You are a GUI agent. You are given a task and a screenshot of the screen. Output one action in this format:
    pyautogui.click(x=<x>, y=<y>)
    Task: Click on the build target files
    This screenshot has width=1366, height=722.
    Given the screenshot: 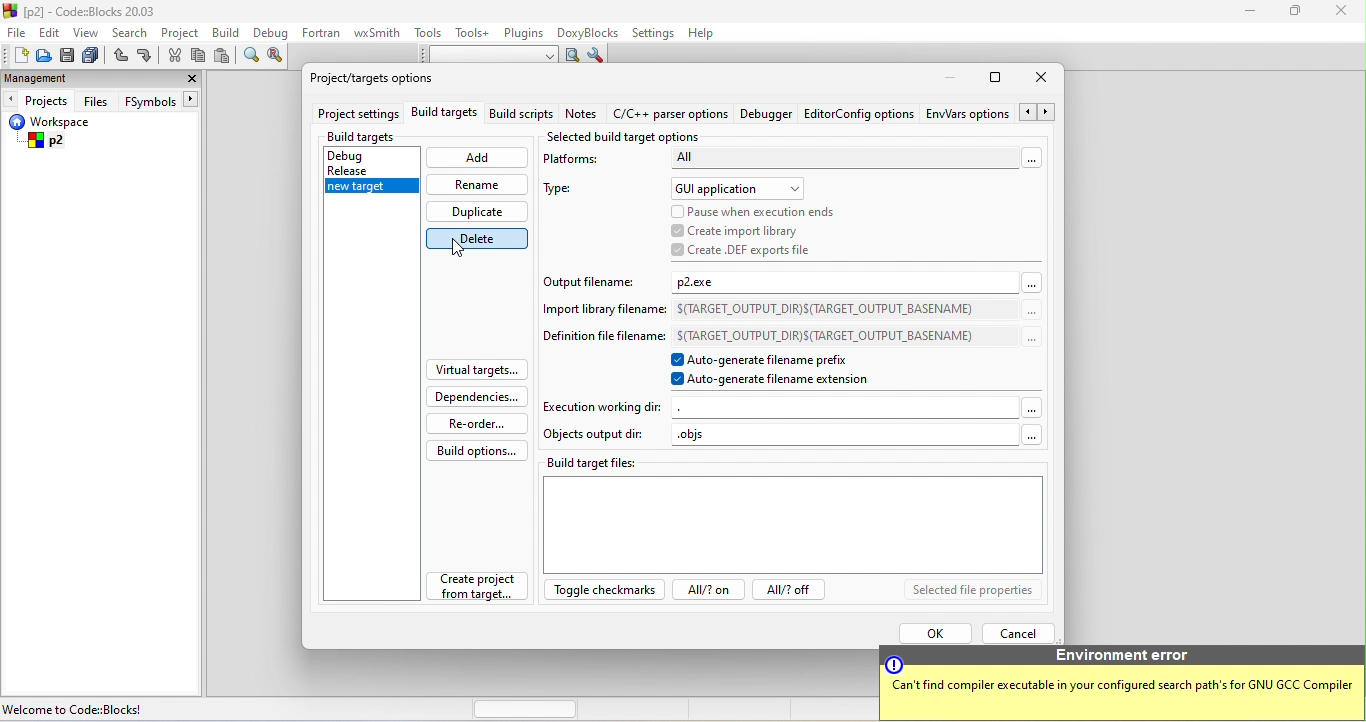 What is the action you would take?
    pyautogui.click(x=795, y=513)
    